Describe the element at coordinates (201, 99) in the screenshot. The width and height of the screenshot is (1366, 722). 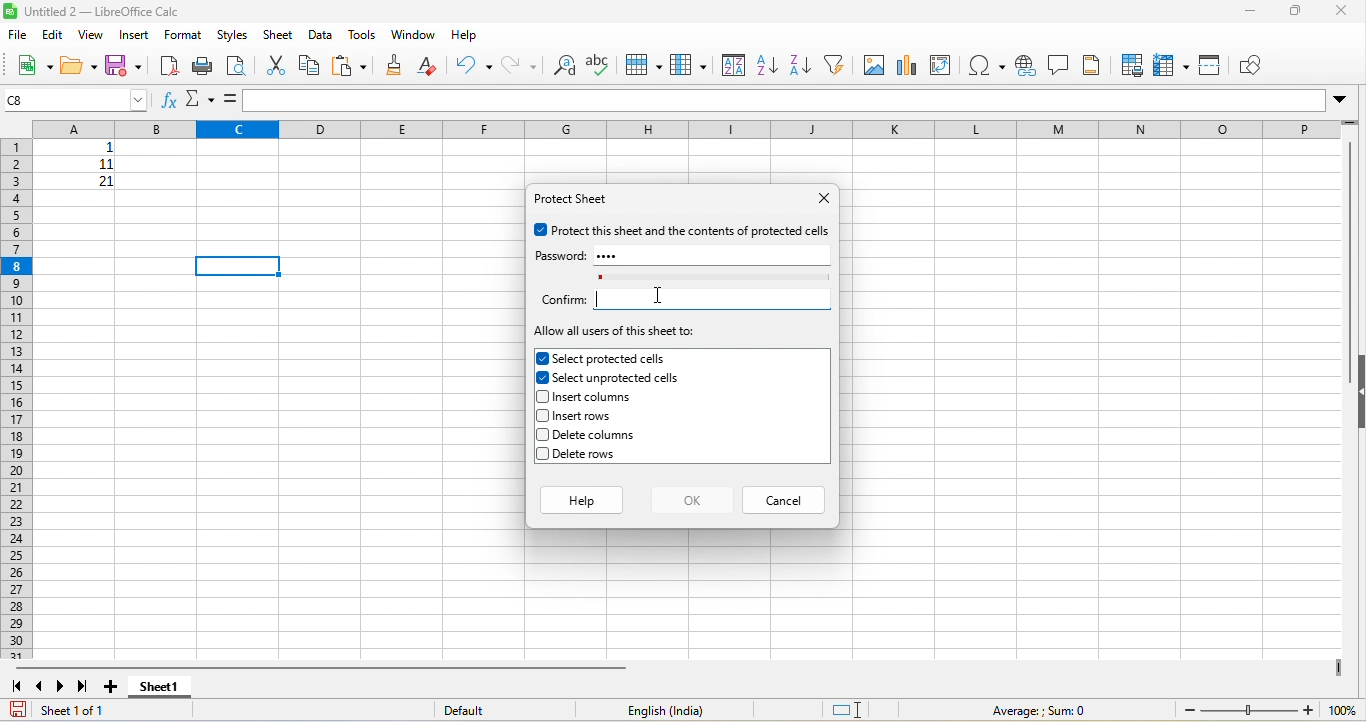
I see `select function` at that location.